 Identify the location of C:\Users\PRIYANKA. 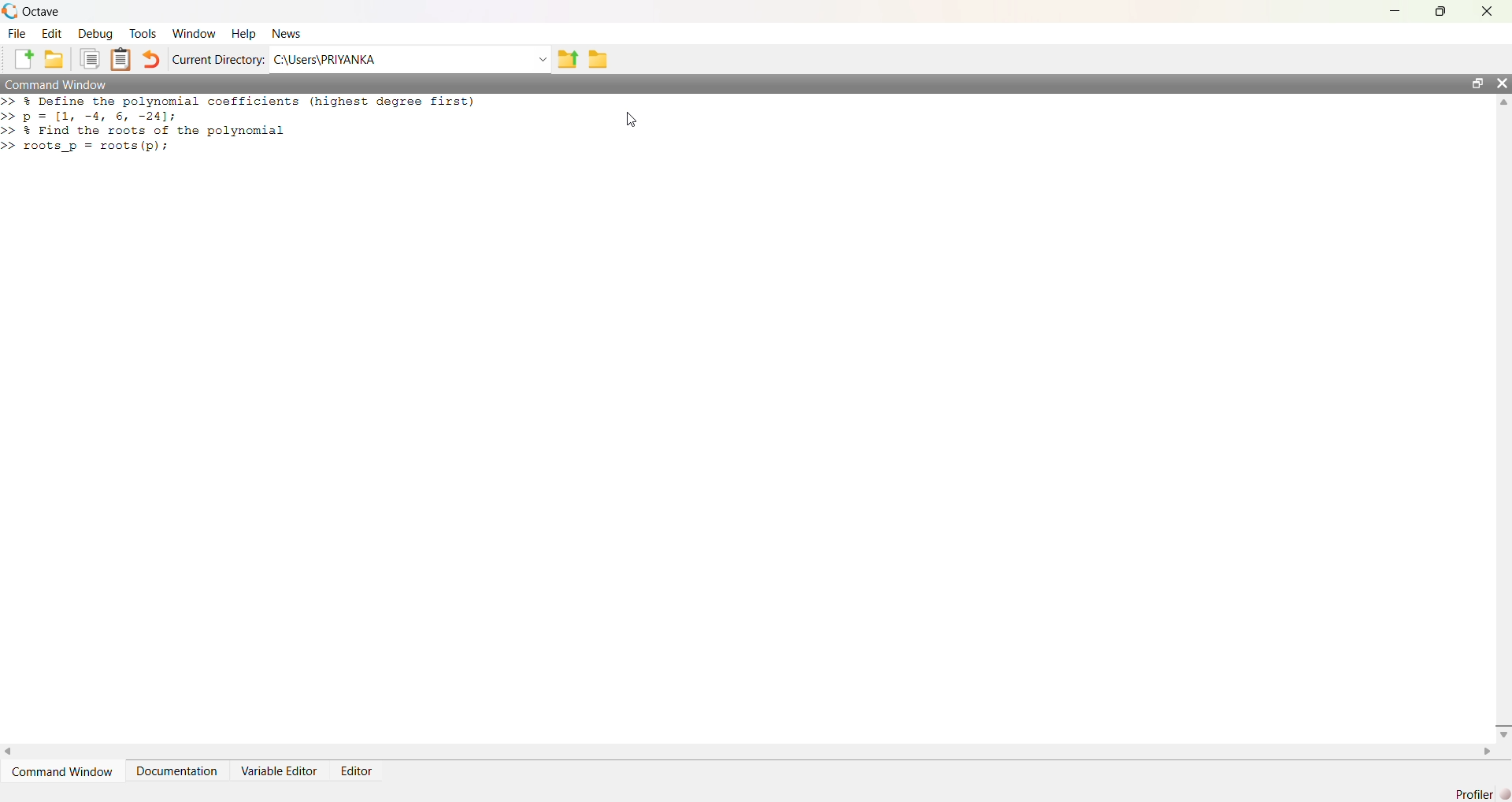
(411, 60).